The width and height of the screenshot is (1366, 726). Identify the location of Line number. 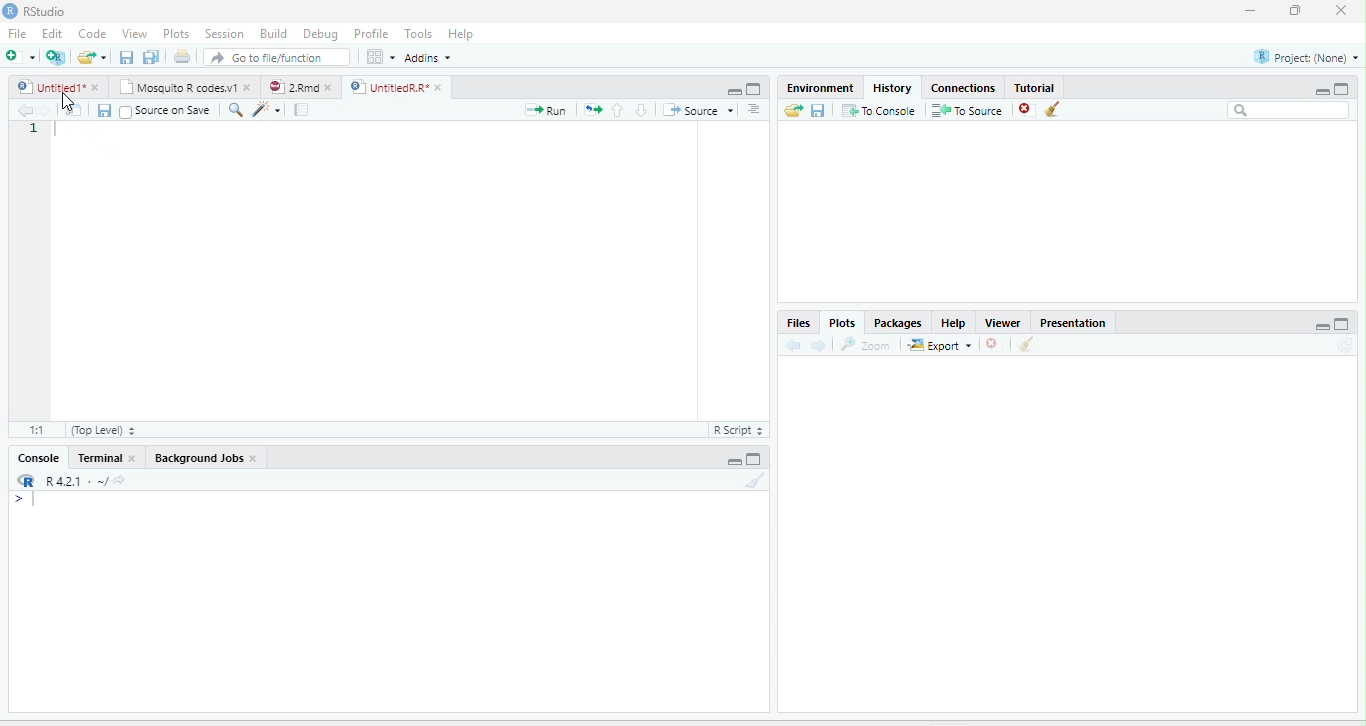
(35, 130).